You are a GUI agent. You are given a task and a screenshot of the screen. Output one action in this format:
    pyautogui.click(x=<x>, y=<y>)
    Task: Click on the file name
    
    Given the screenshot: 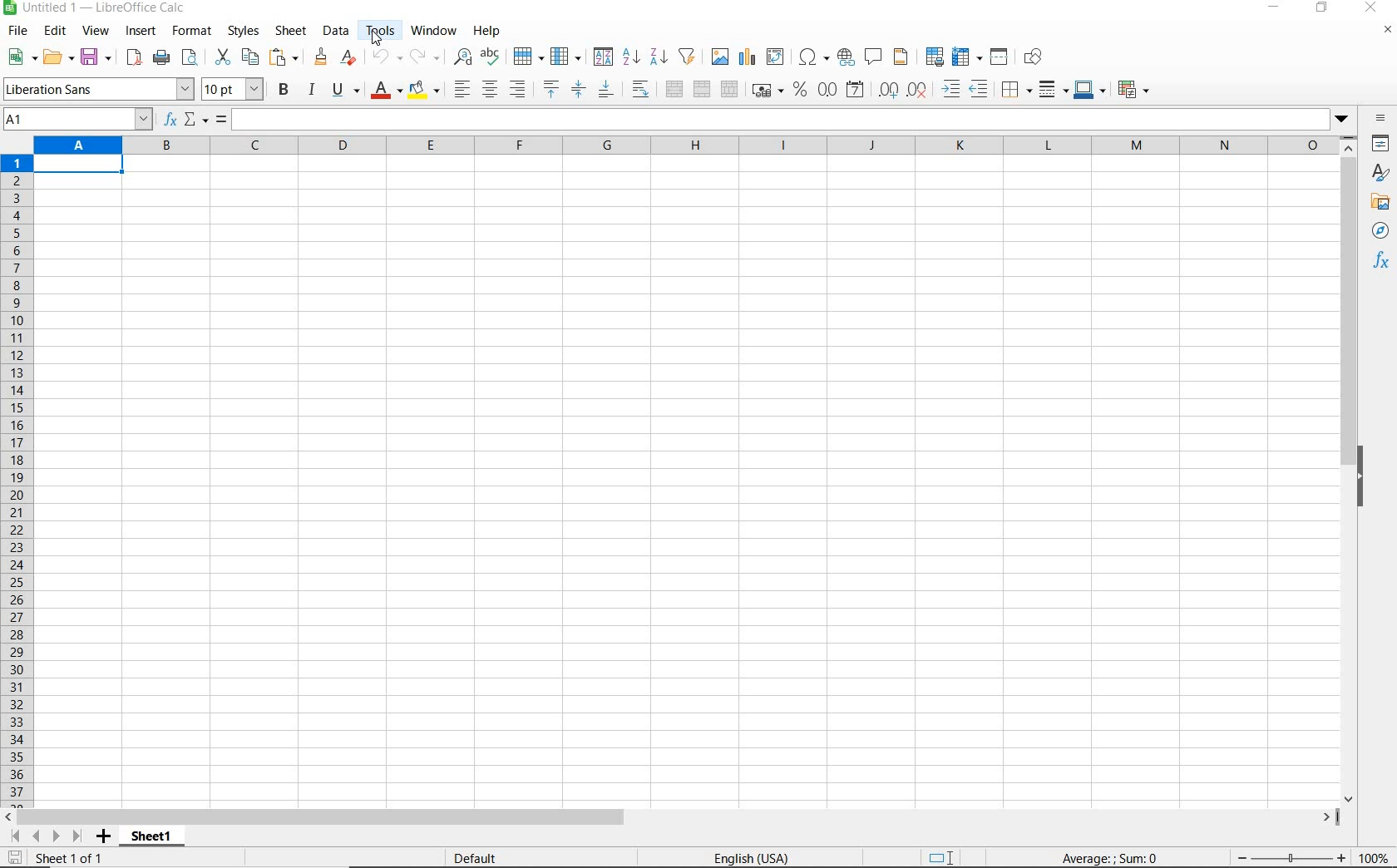 What is the action you would take?
    pyautogui.click(x=96, y=8)
    